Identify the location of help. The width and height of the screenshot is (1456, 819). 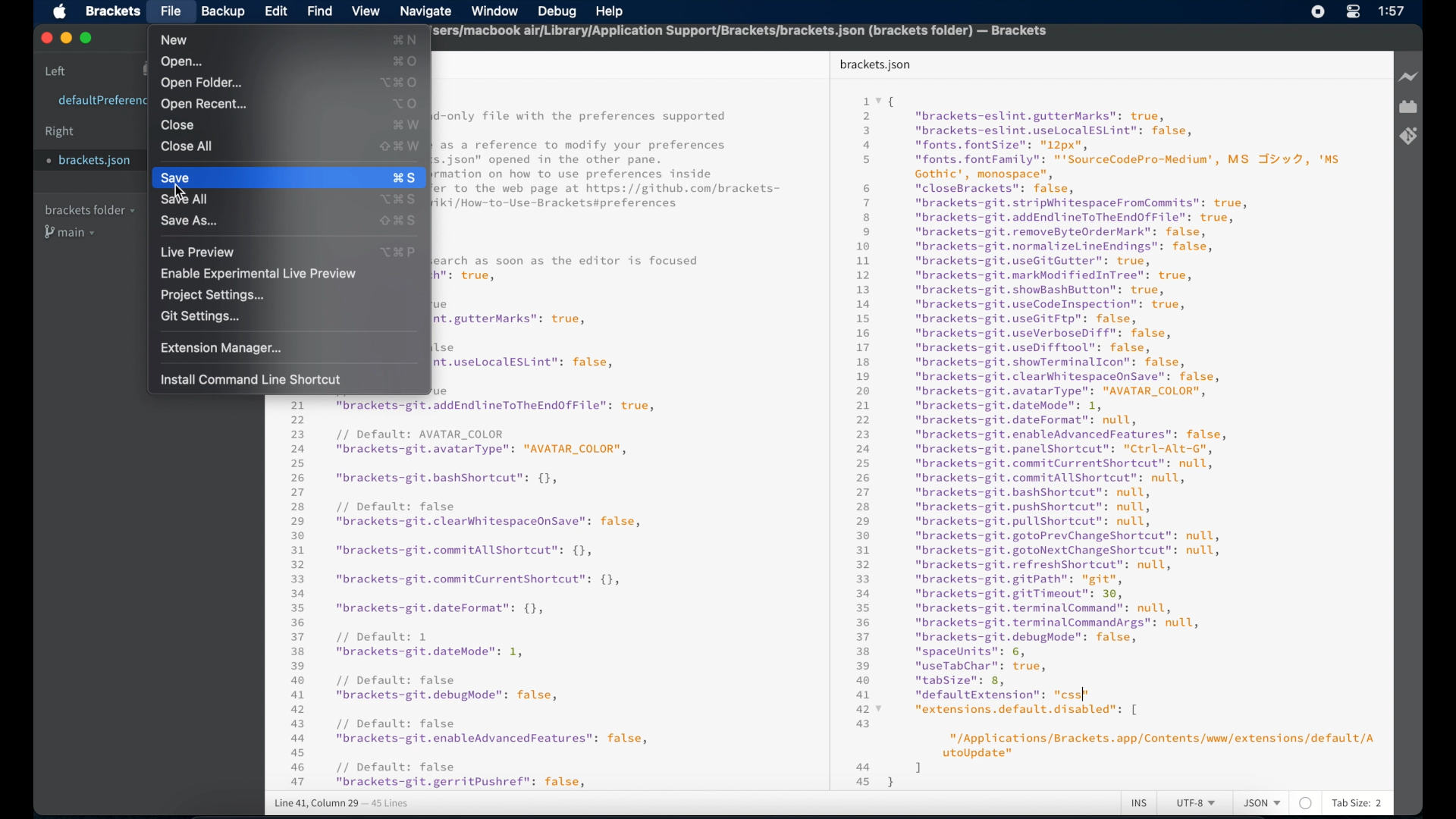
(609, 11).